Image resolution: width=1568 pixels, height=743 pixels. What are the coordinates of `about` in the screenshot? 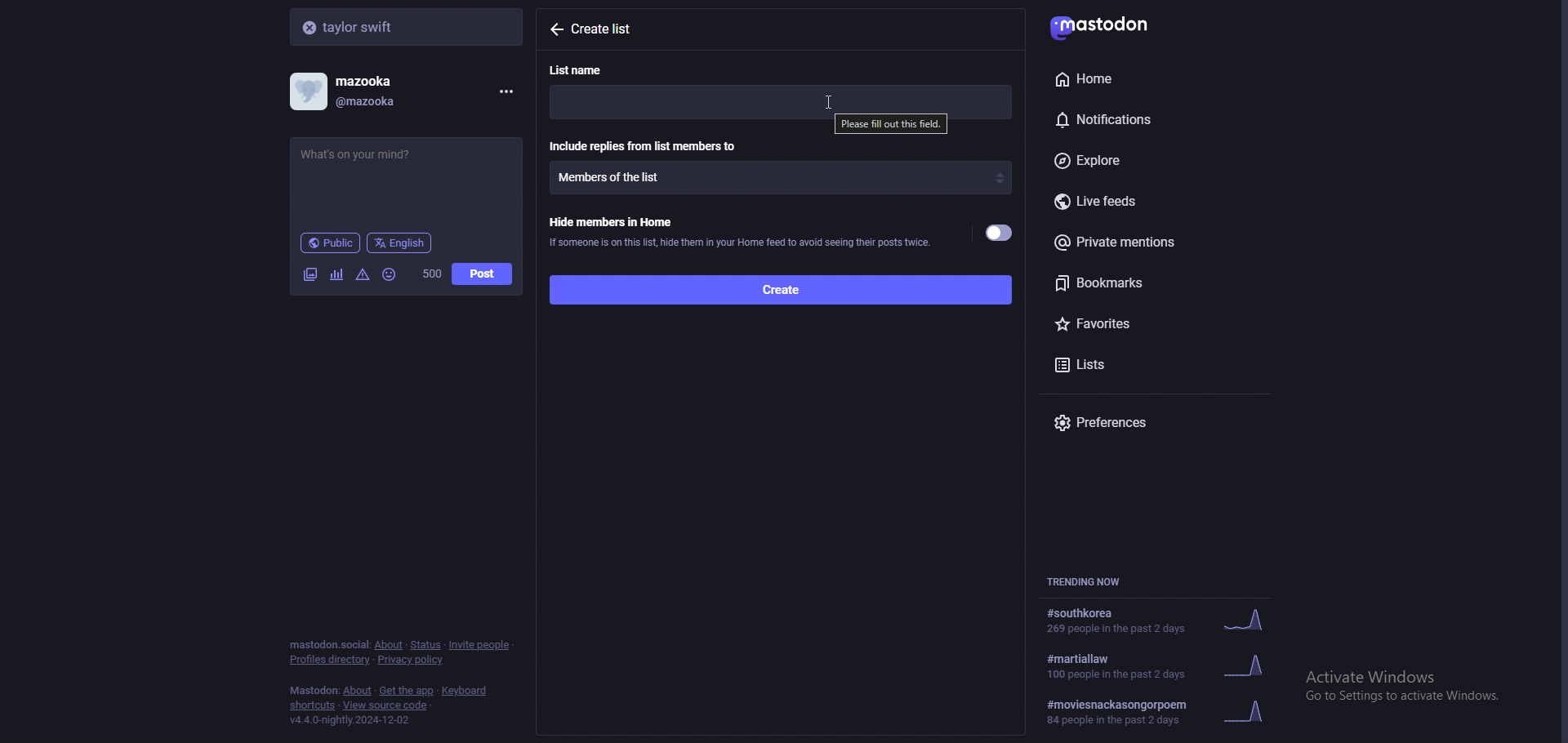 It's located at (359, 692).